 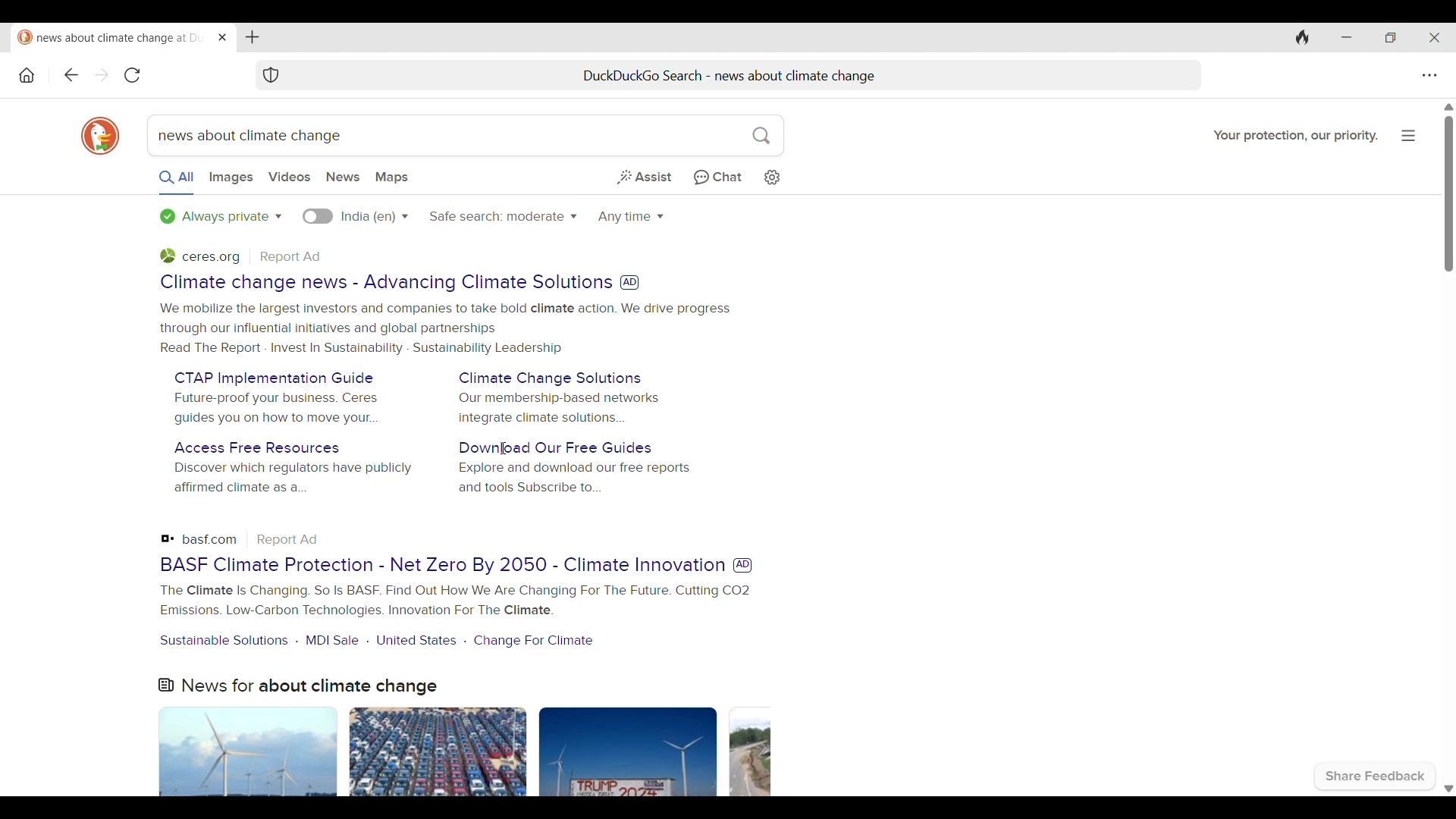 What do you see at coordinates (292, 256) in the screenshot?
I see `Report ad` at bounding box center [292, 256].